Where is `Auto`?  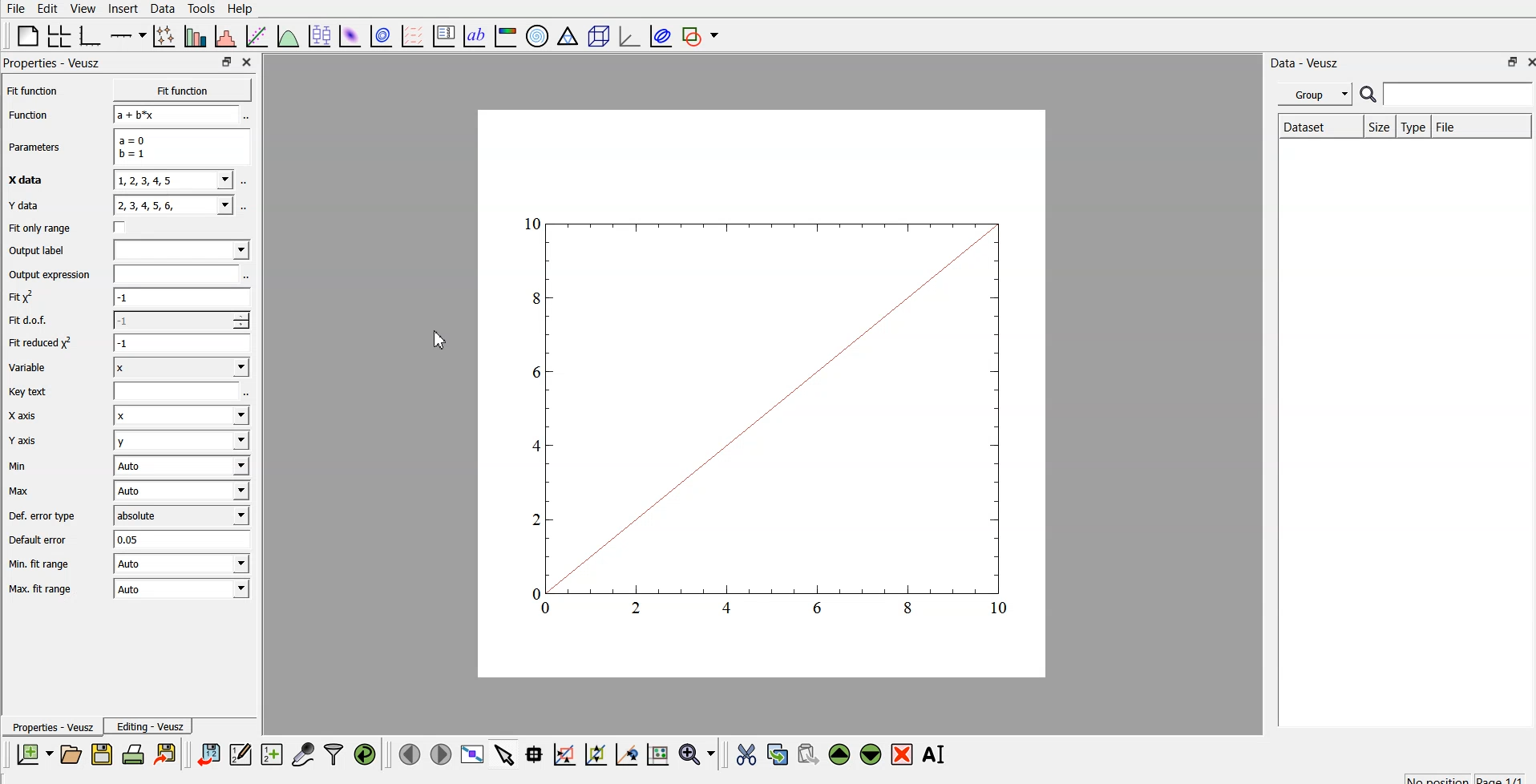
Auto is located at coordinates (182, 589).